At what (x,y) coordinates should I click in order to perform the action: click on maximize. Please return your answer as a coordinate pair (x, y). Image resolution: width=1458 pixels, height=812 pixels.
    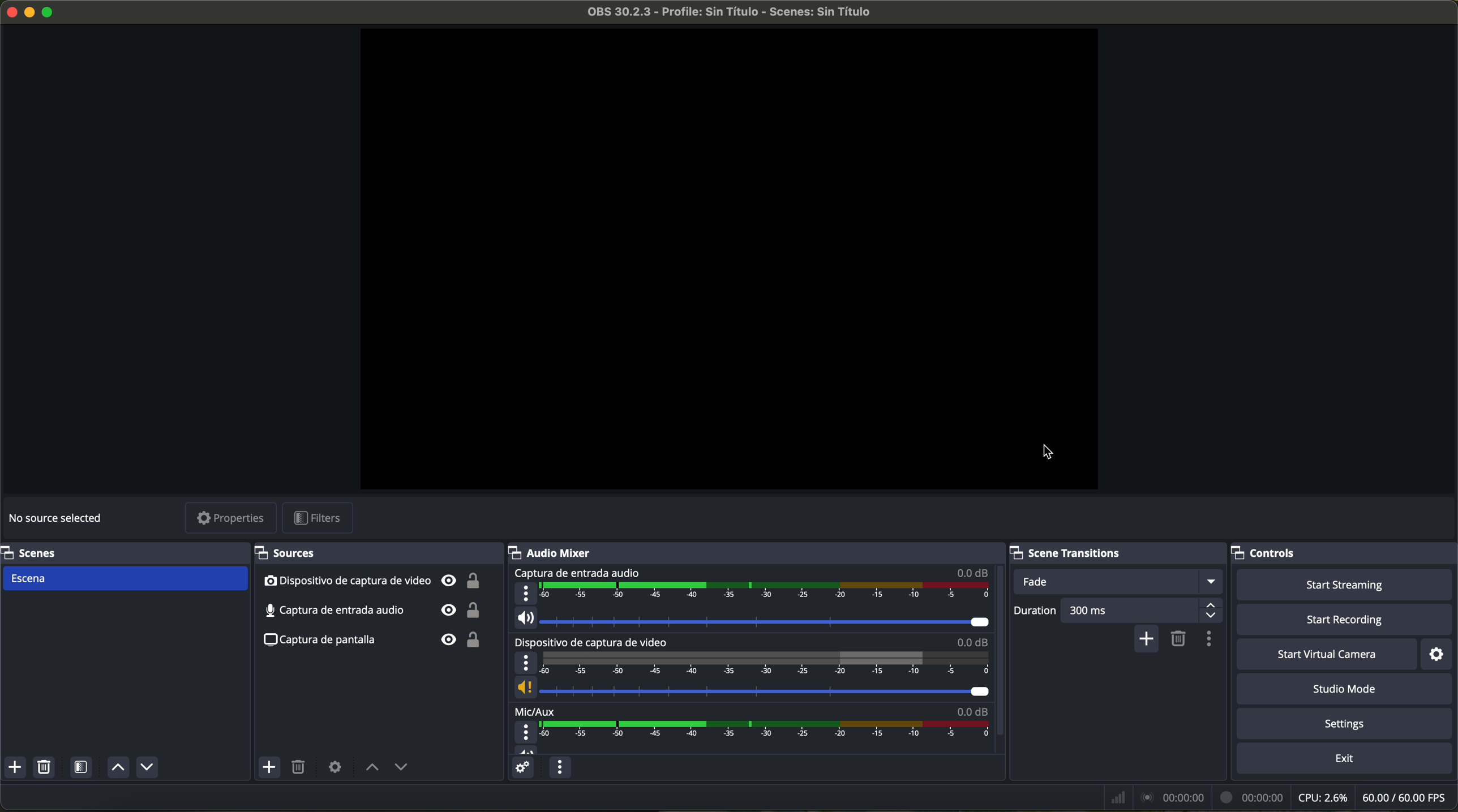
    Looking at the image, I should click on (50, 12).